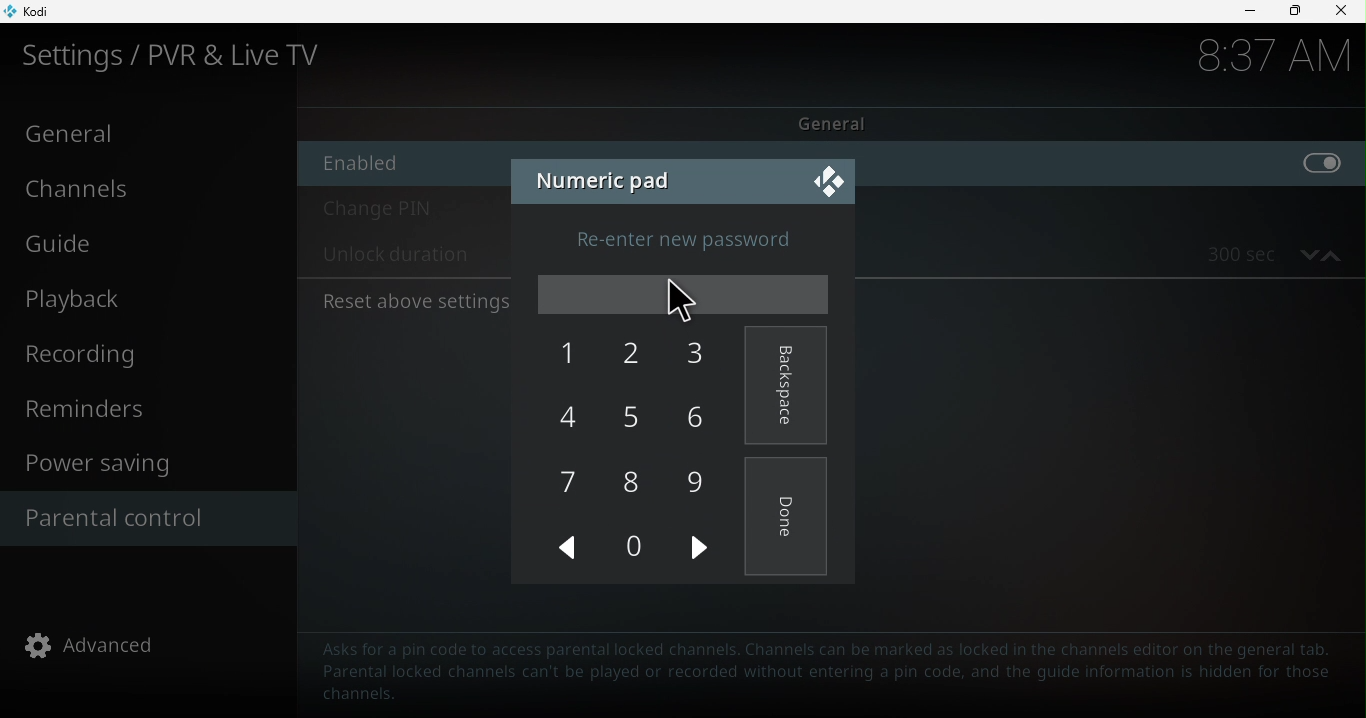 This screenshot has width=1366, height=718. Describe the element at coordinates (835, 123) in the screenshot. I see `General` at that location.